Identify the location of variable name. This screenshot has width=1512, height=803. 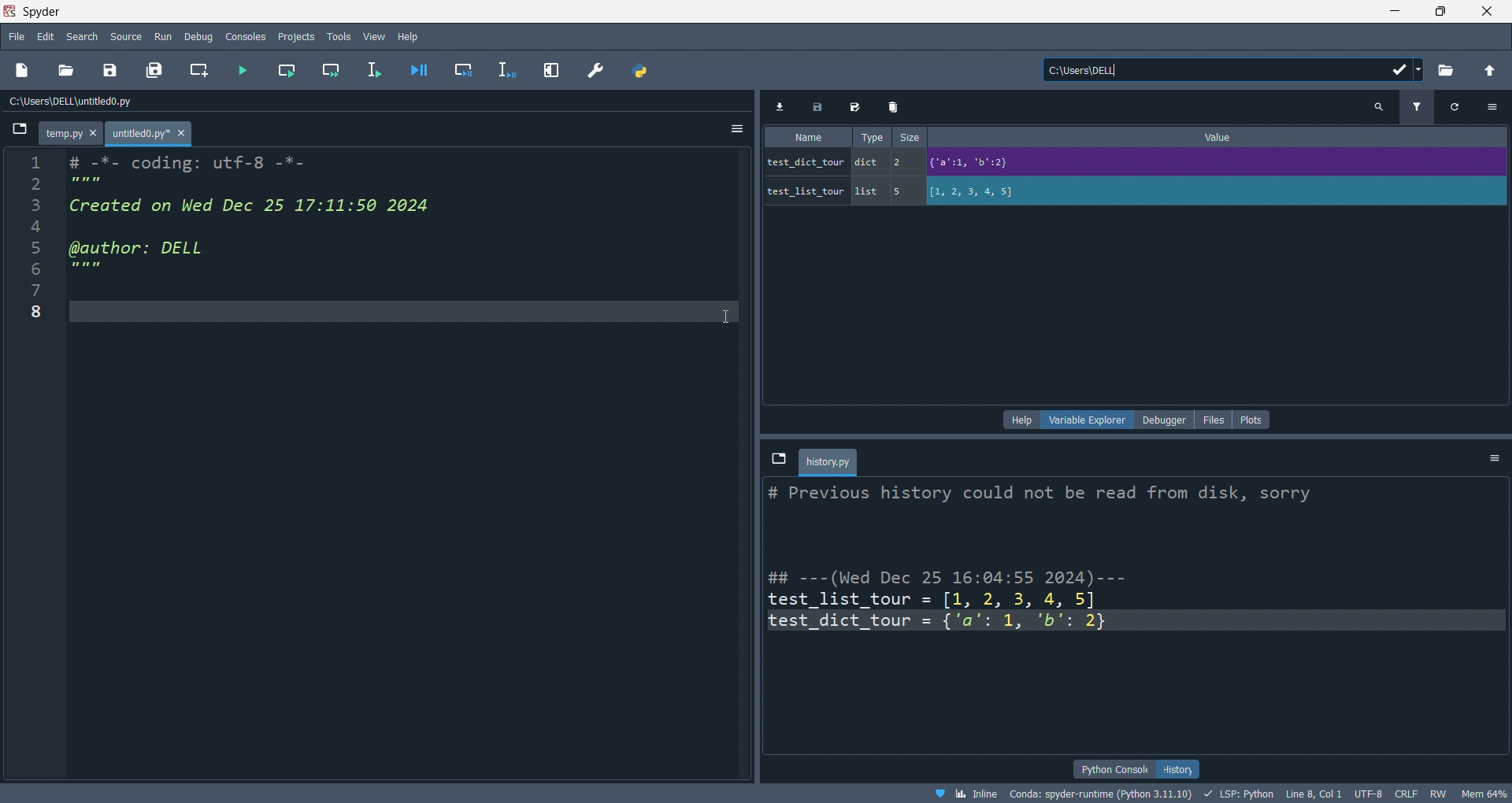
(805, 189).